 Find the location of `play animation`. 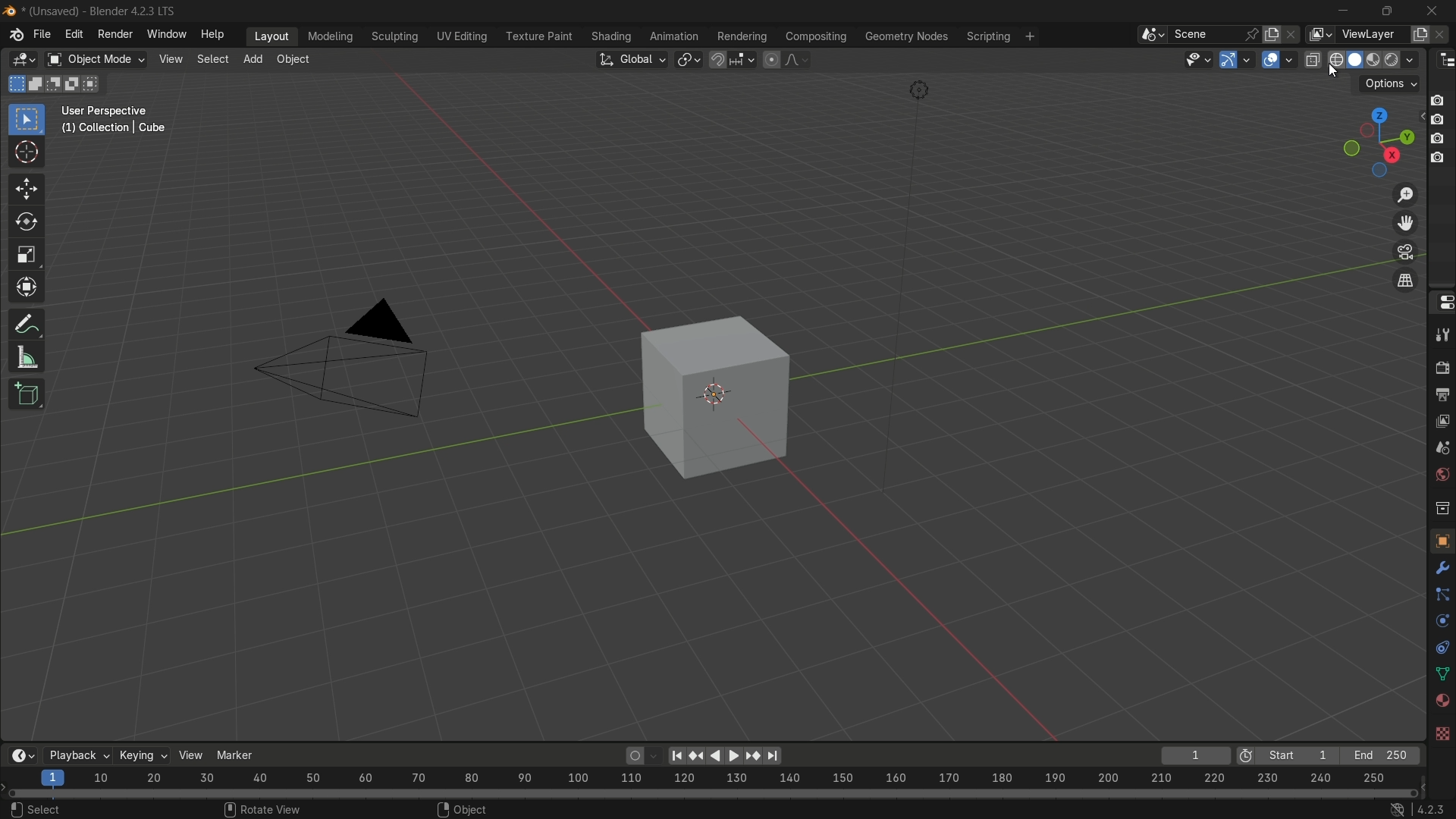

play animation is located at coordinates (726, 755).